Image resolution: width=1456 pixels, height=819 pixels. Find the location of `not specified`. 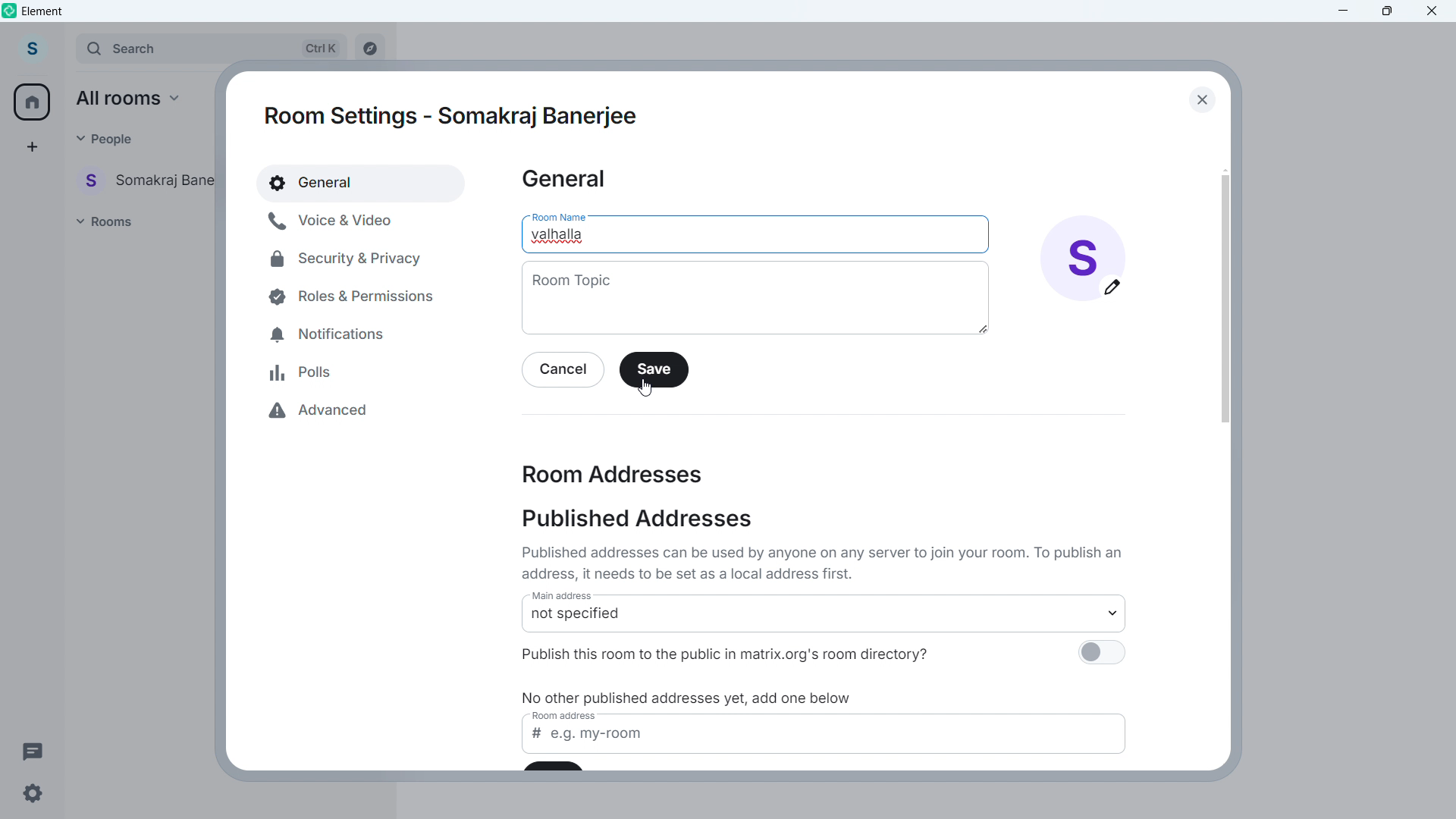

not specified is located at coordinates (827, 620).